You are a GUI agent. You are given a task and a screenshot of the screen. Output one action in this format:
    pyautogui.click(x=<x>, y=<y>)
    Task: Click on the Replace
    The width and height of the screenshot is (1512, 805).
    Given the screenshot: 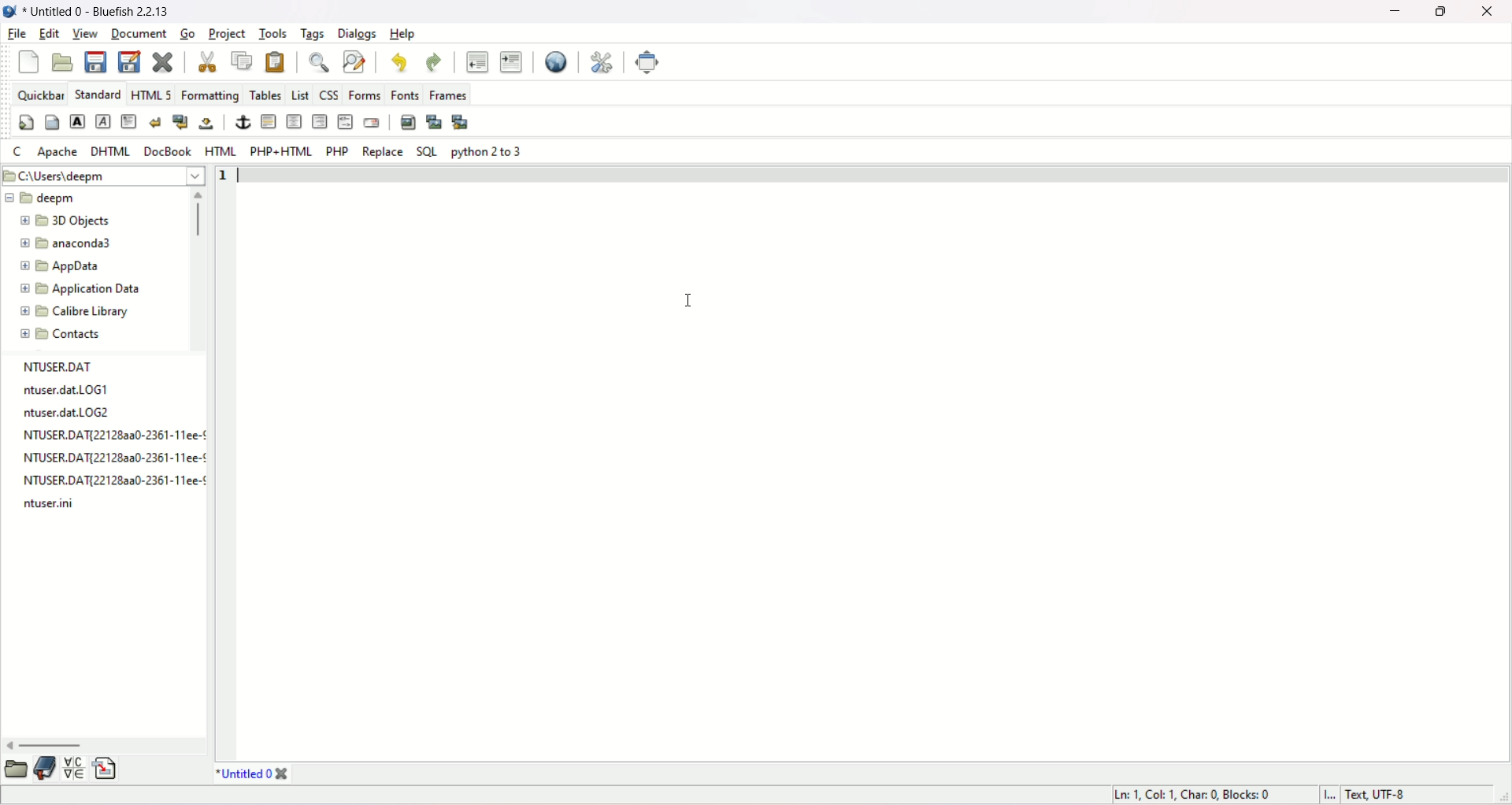 What is the action you would take?
    pyautogui.click(x=384, y=152)
    